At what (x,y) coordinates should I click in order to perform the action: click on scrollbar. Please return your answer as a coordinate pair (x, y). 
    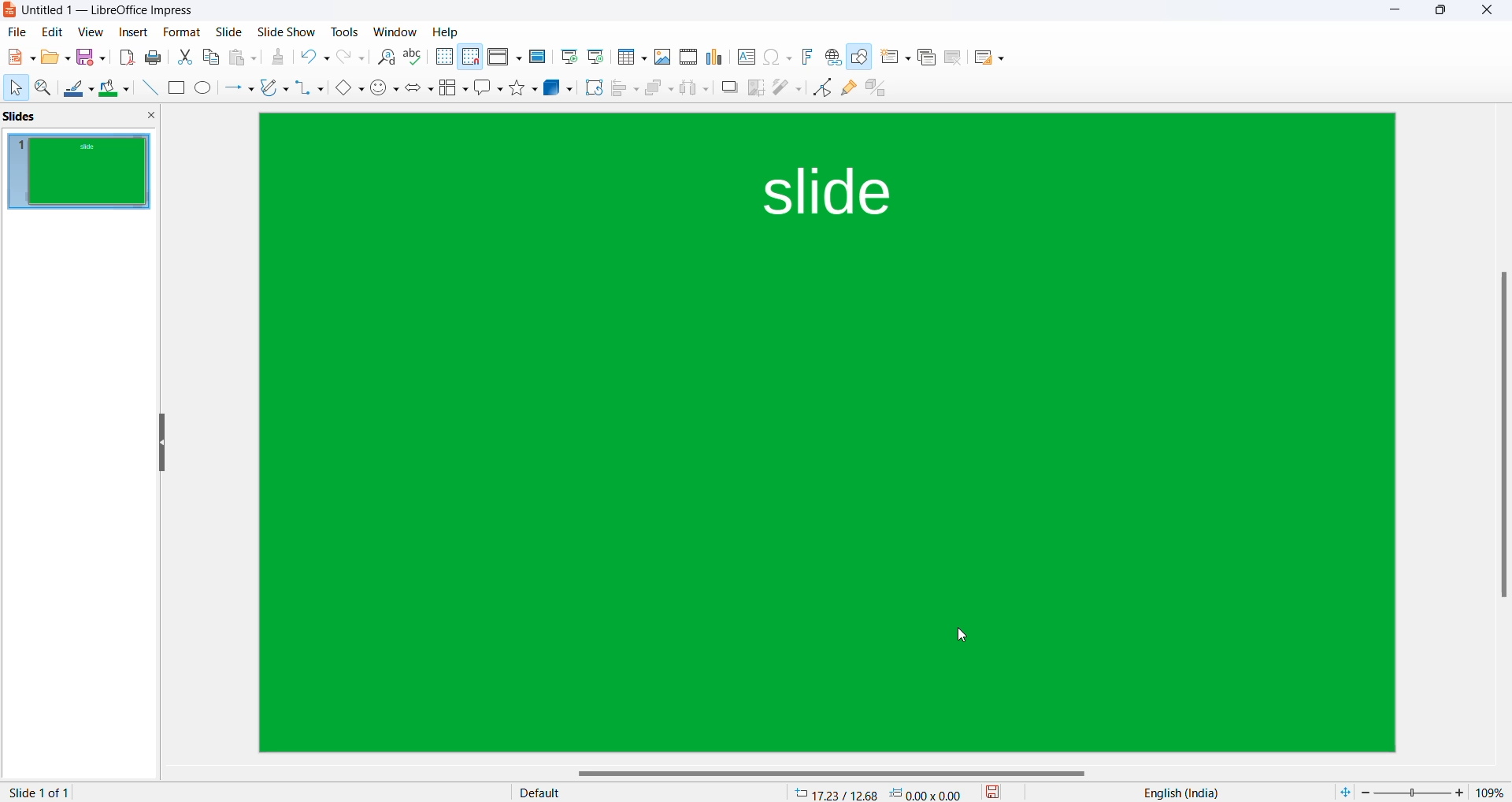
    Looking at the image, I should click on (1502, 433).